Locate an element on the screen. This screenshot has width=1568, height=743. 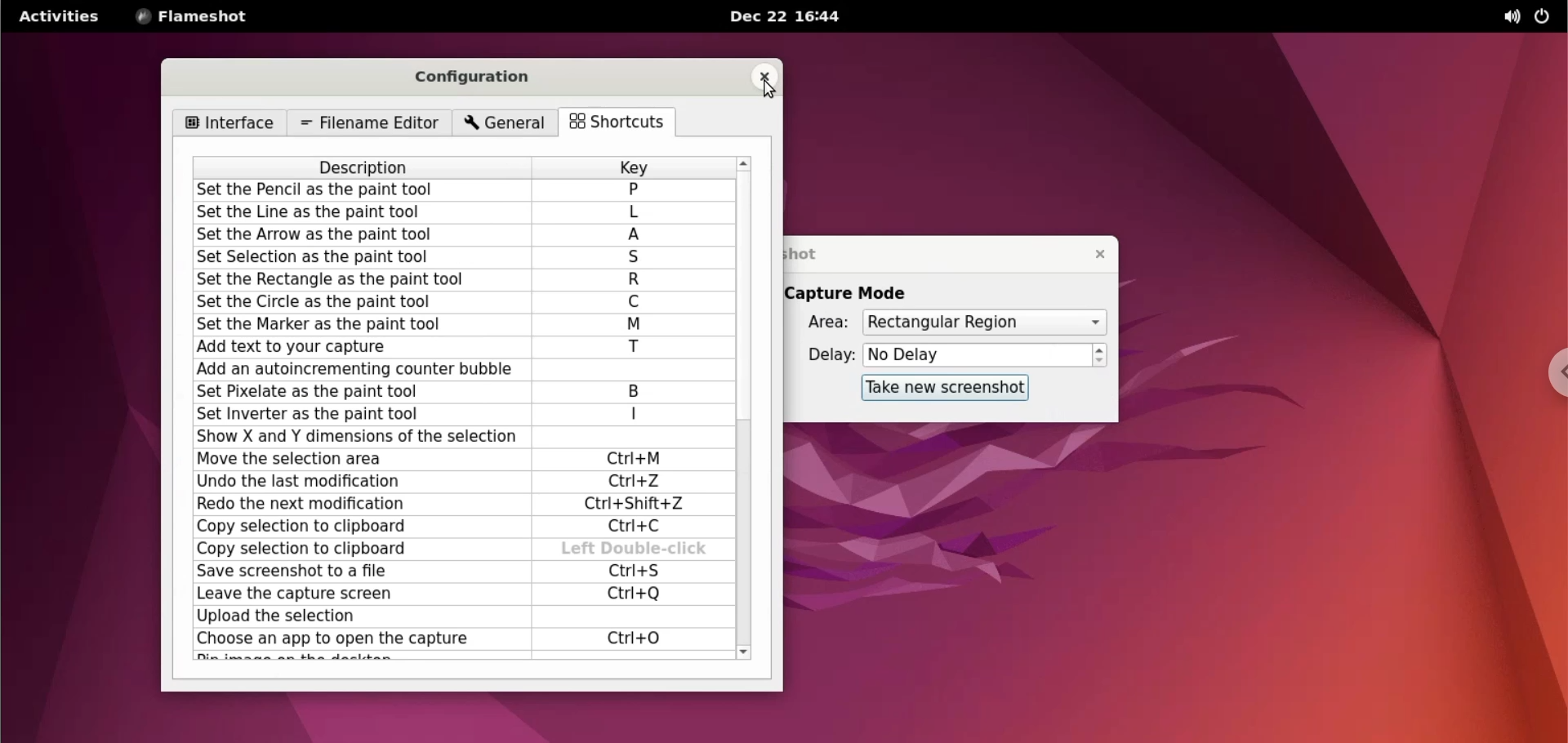
save screenshot to a file is located at coordinates (354, 572).